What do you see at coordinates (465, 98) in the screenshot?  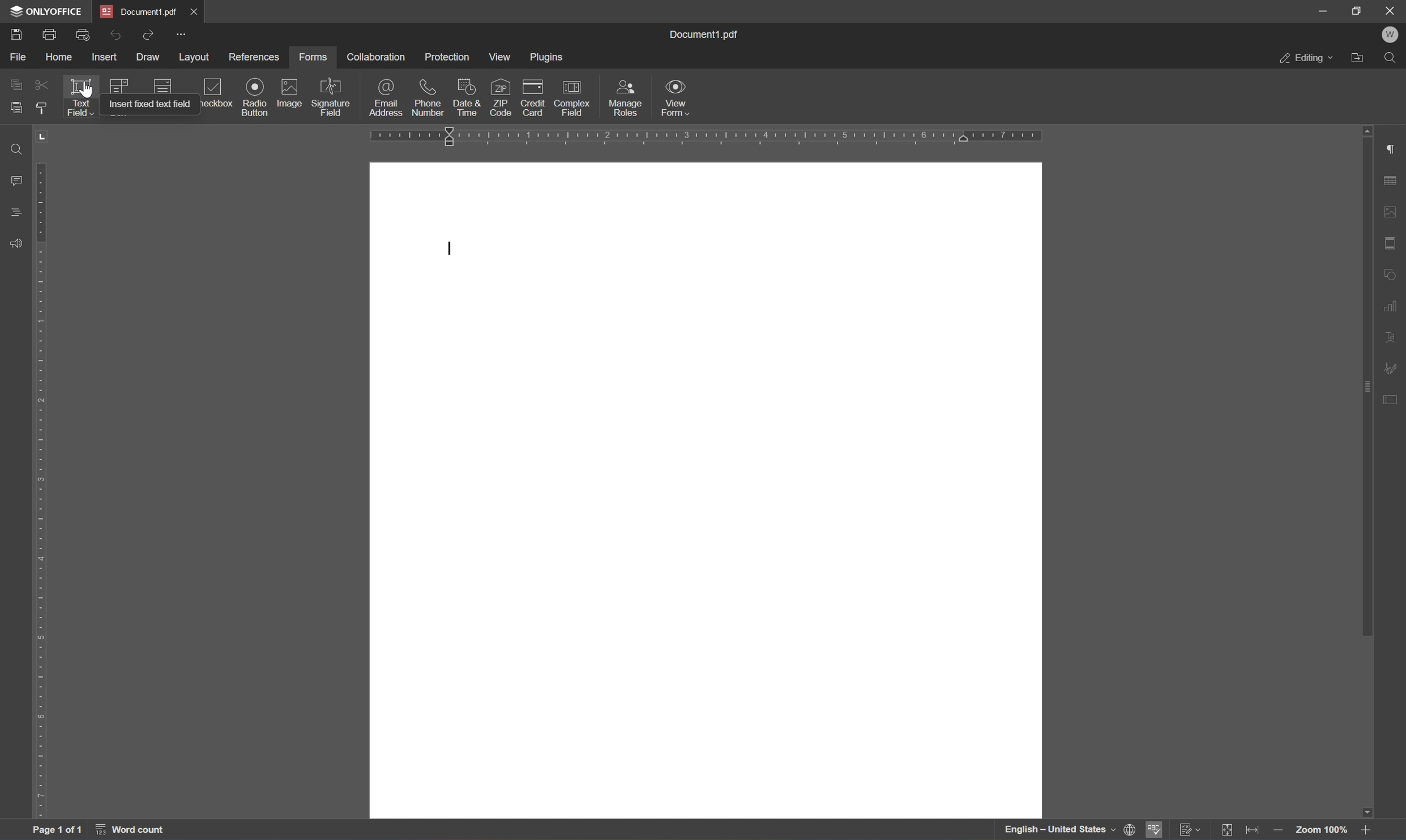 I see `date and time` at bounding box center [465, 98].